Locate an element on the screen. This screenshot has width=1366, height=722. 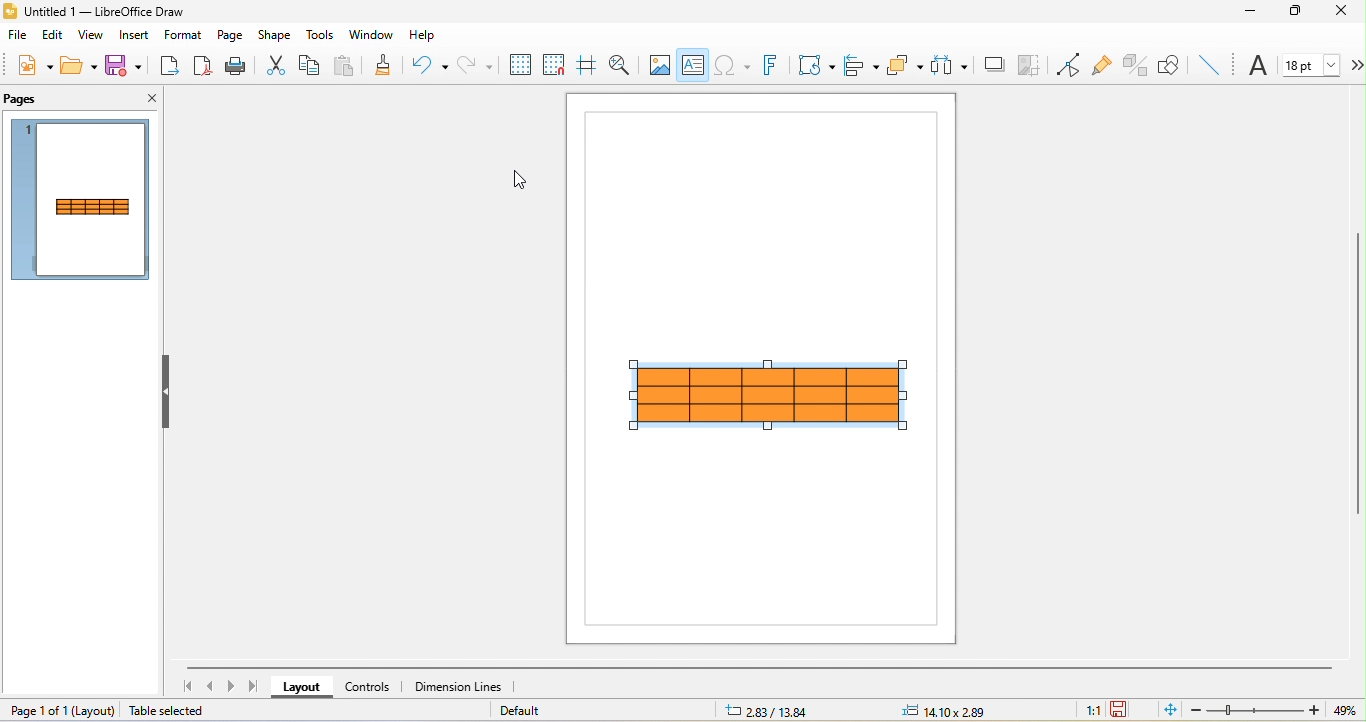
horizontal scroll bar is located at coordinates (759, 667).